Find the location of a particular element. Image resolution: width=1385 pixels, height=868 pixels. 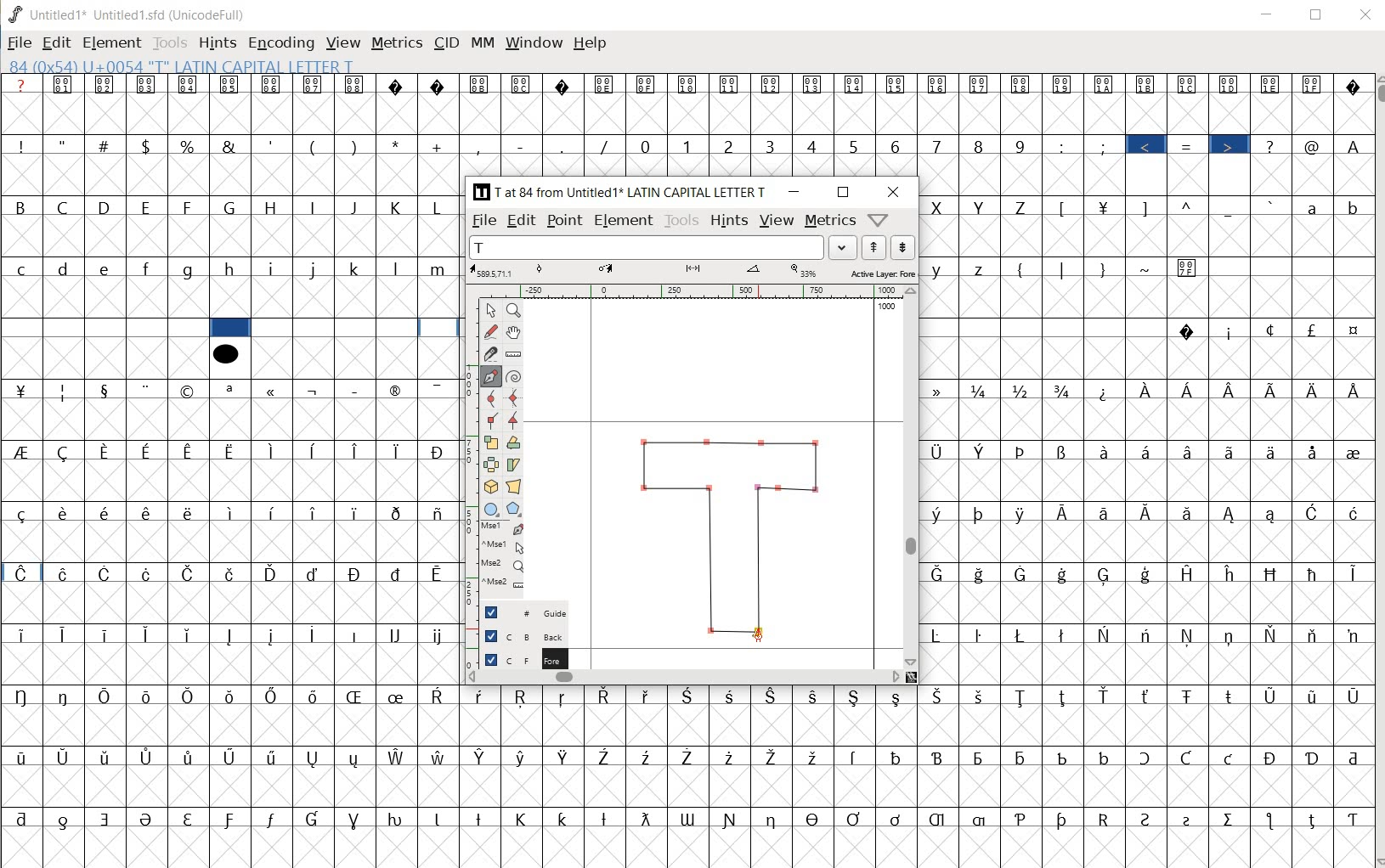

Symbol is located at coordinates (1105, 206).